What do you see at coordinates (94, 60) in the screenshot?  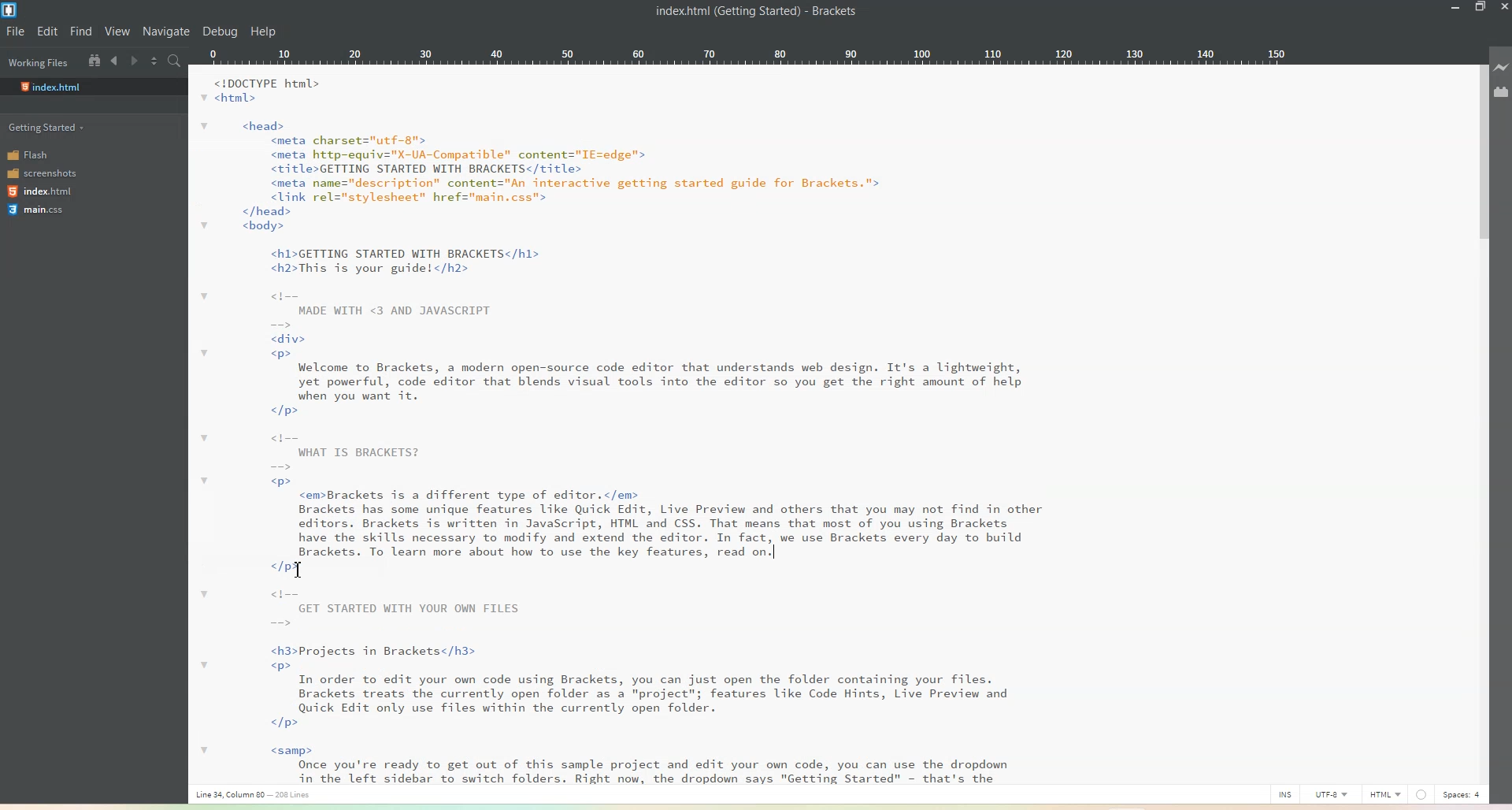 I see `Show in the file tree` at bounding box center [94, 60].